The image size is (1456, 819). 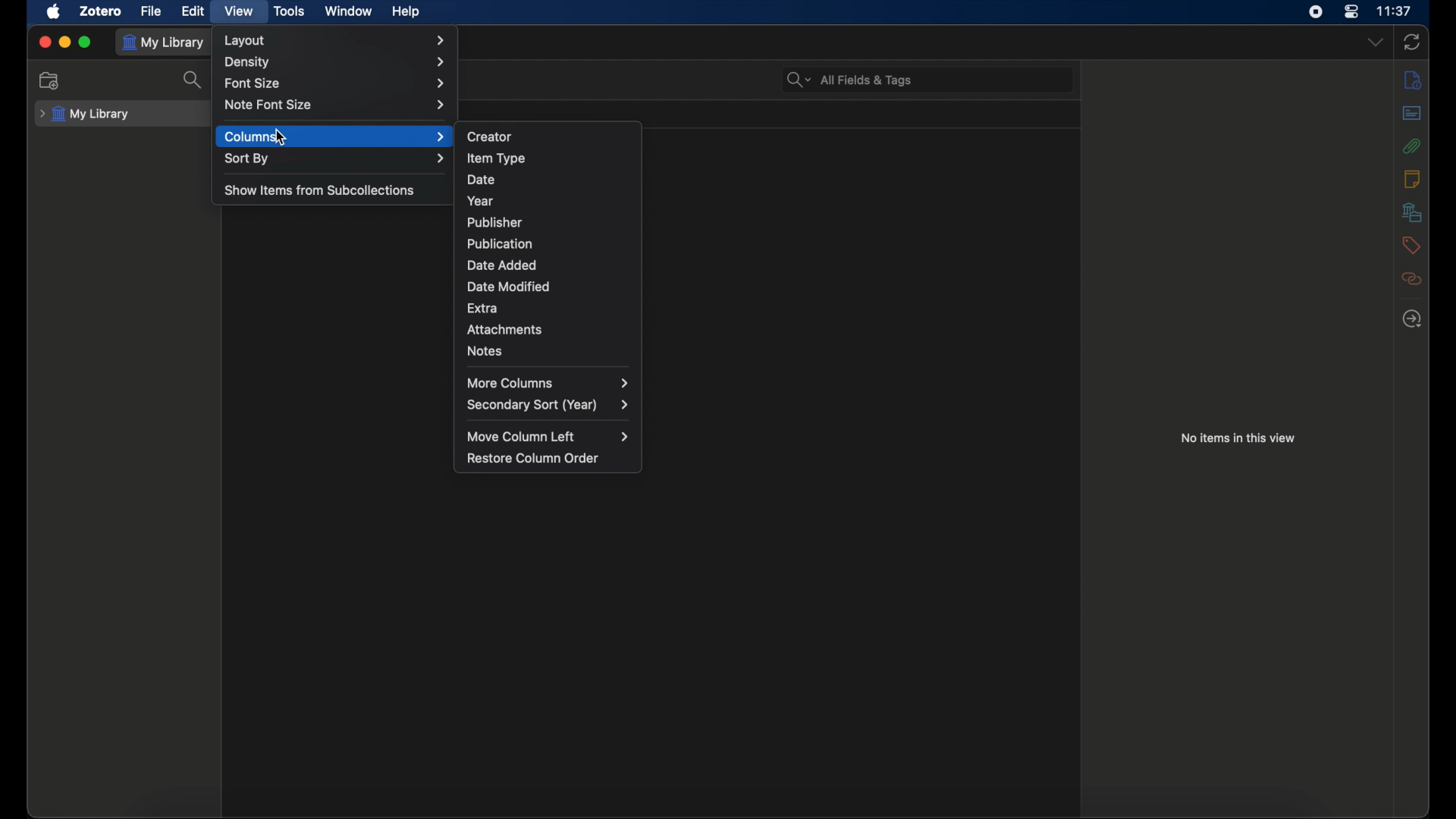 What do you see at coordinates (335, 61) in the screenshot?
I see `density` at bounding box center [335, 61].